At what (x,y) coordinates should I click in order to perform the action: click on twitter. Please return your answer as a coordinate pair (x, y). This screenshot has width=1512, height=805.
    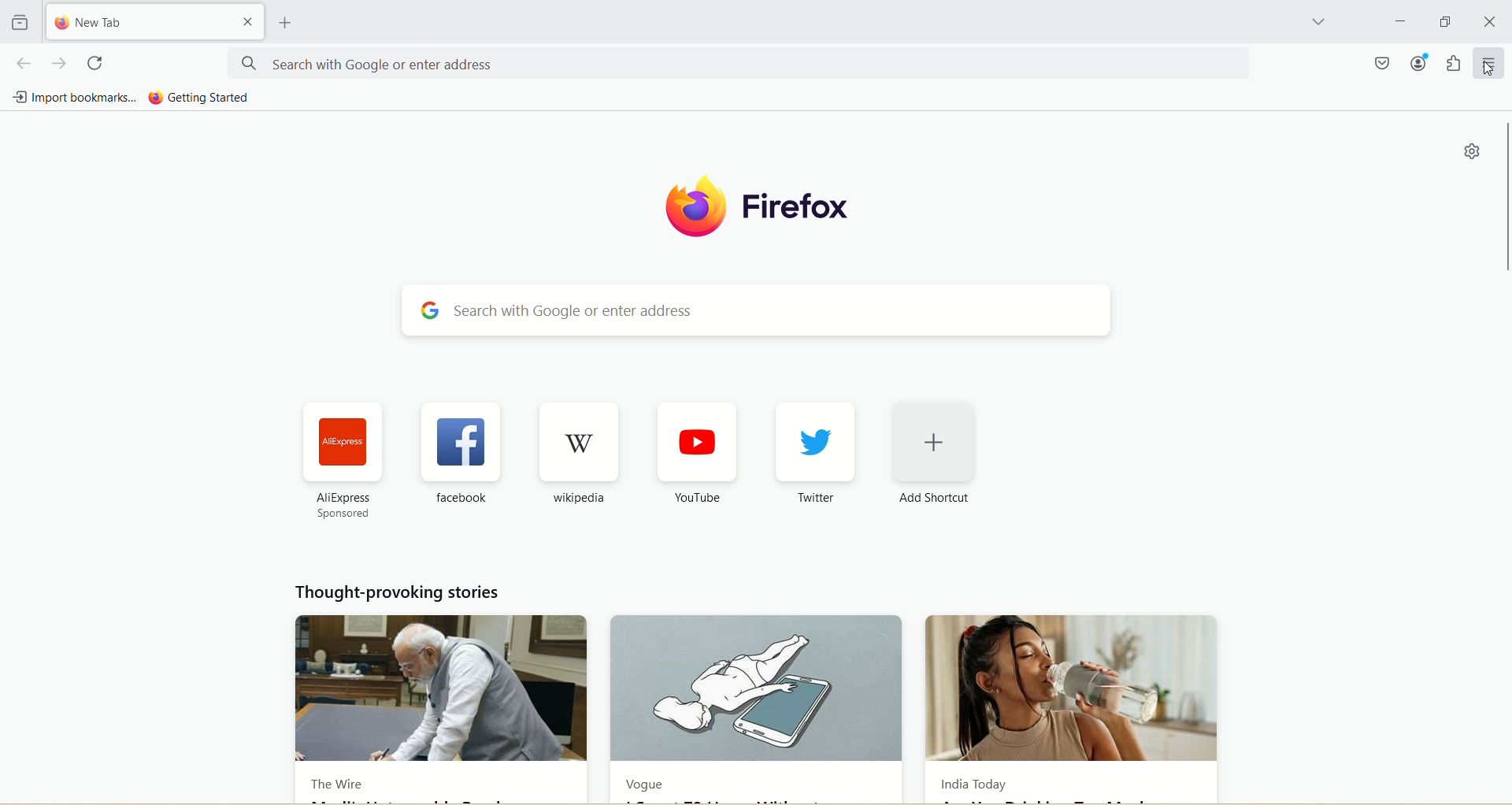
    Looking at the image, I should click on (815, 440).